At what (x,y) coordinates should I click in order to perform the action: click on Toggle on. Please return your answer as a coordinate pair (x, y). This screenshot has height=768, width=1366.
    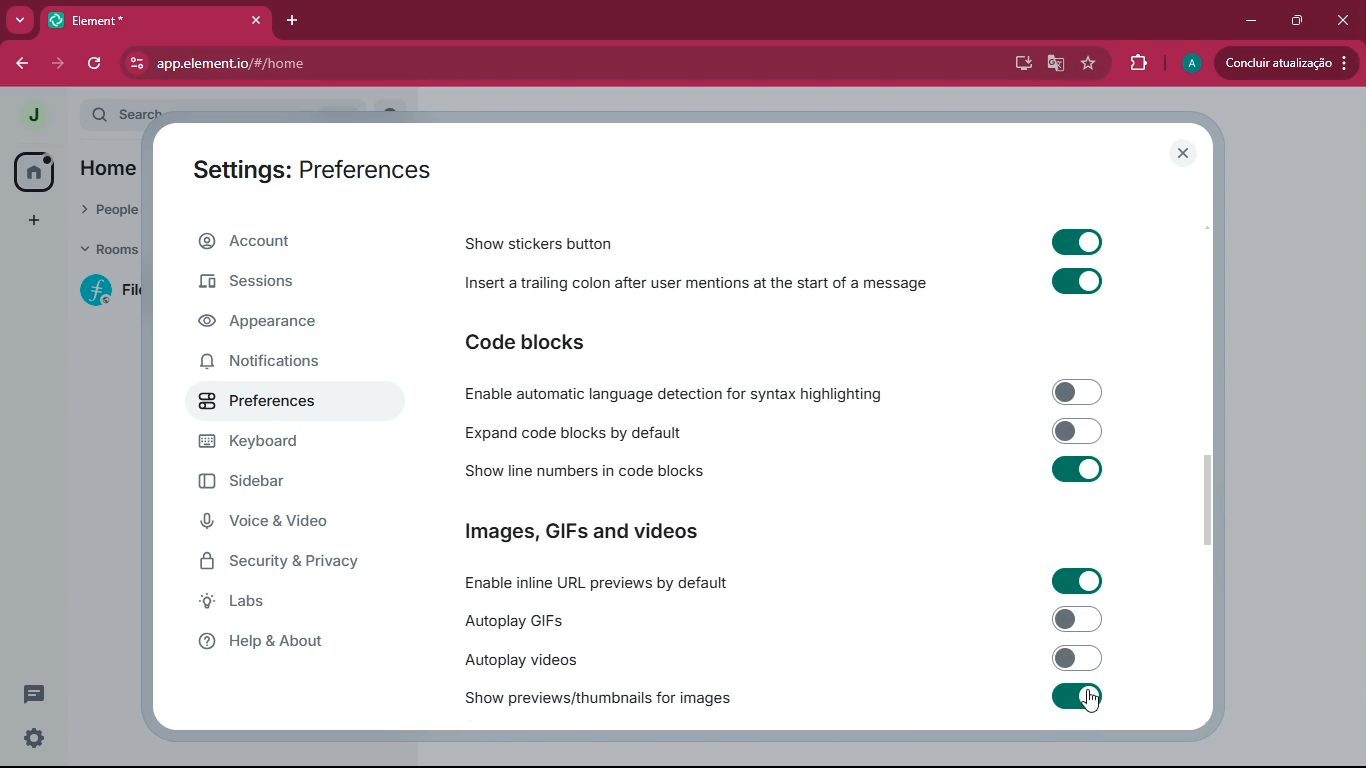
    Looking at the image, I should click on (1077, 471).